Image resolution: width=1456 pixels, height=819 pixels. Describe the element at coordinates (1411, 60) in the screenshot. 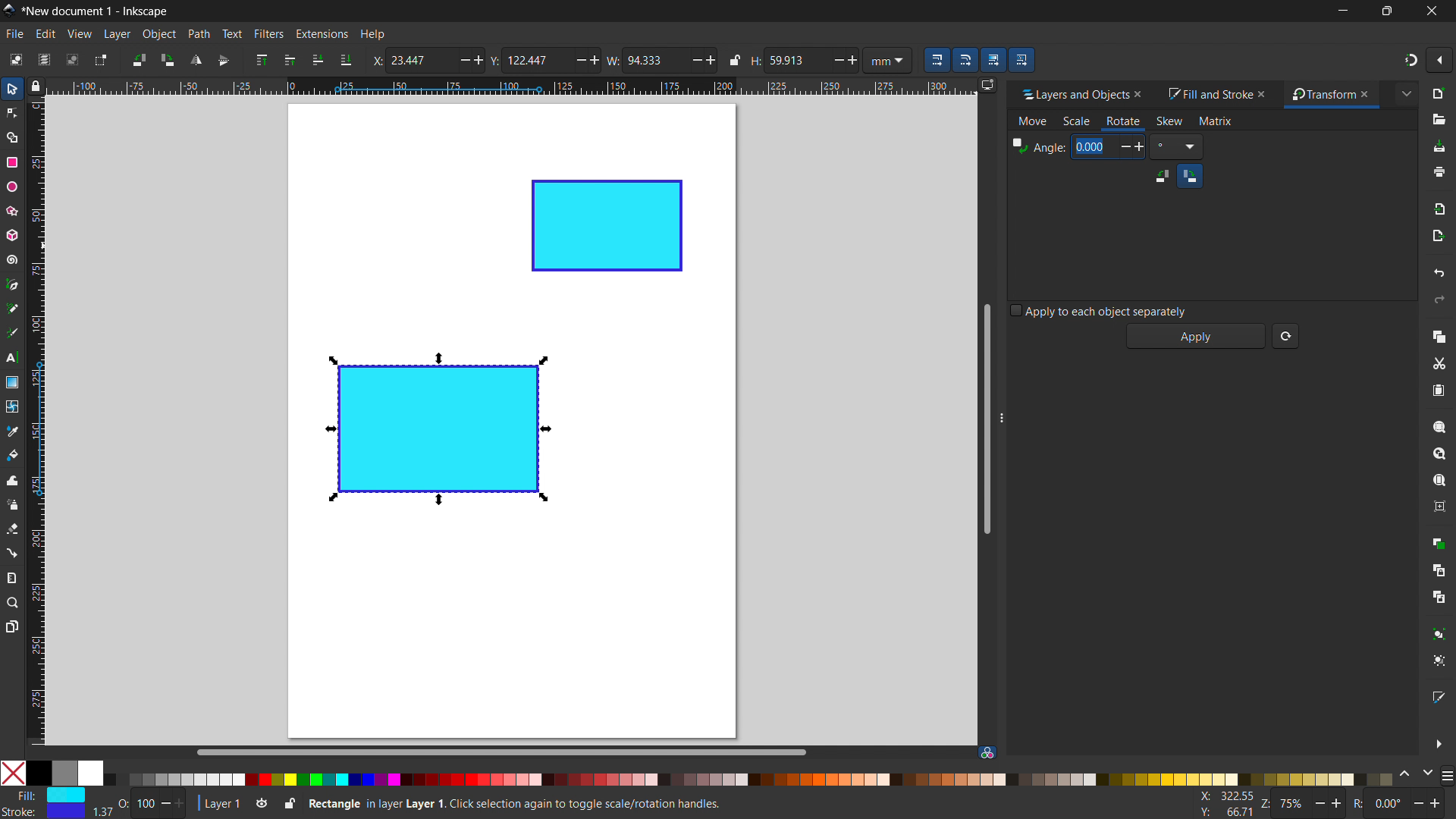

I see `snapping` at that location.